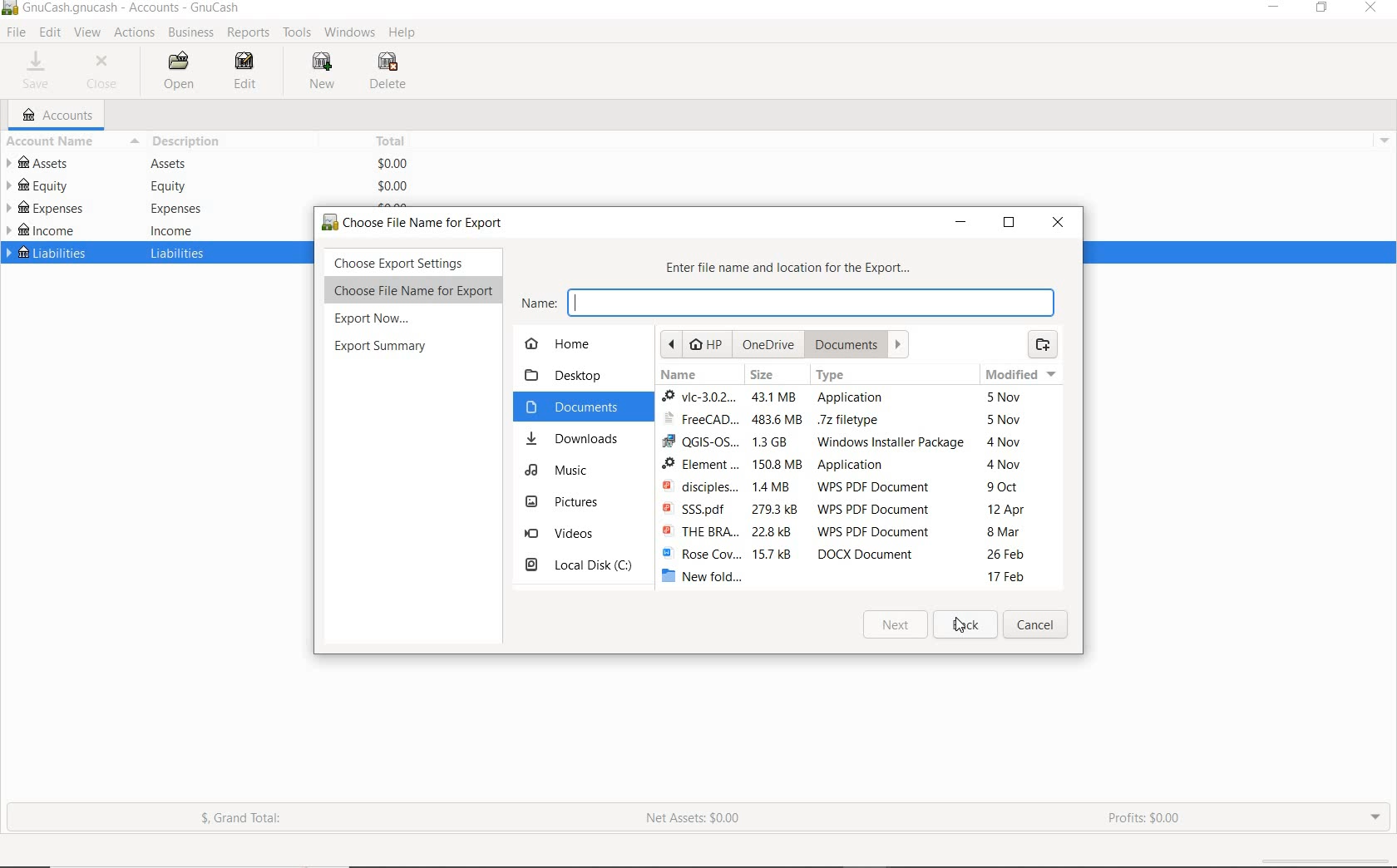 The image size is (1397, 868). What do you see at coordinates (695, 344) in the screenshot?
I see `hp` at bounding box center [695, 344].